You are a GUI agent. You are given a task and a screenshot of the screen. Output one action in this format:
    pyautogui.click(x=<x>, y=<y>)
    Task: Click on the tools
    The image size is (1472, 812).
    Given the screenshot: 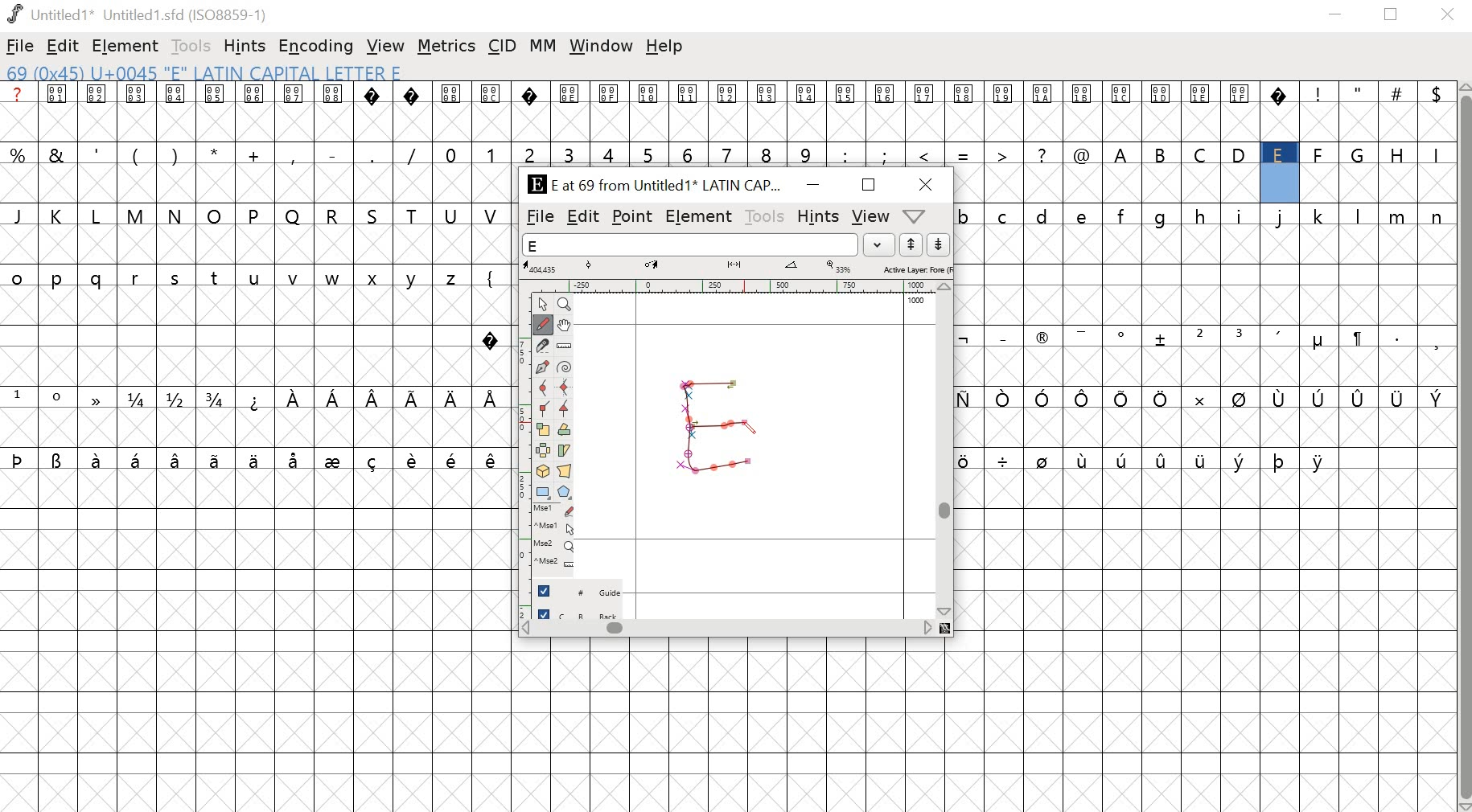 What is the action you would take?
    pyautogui.click(x=763, y=215)
    